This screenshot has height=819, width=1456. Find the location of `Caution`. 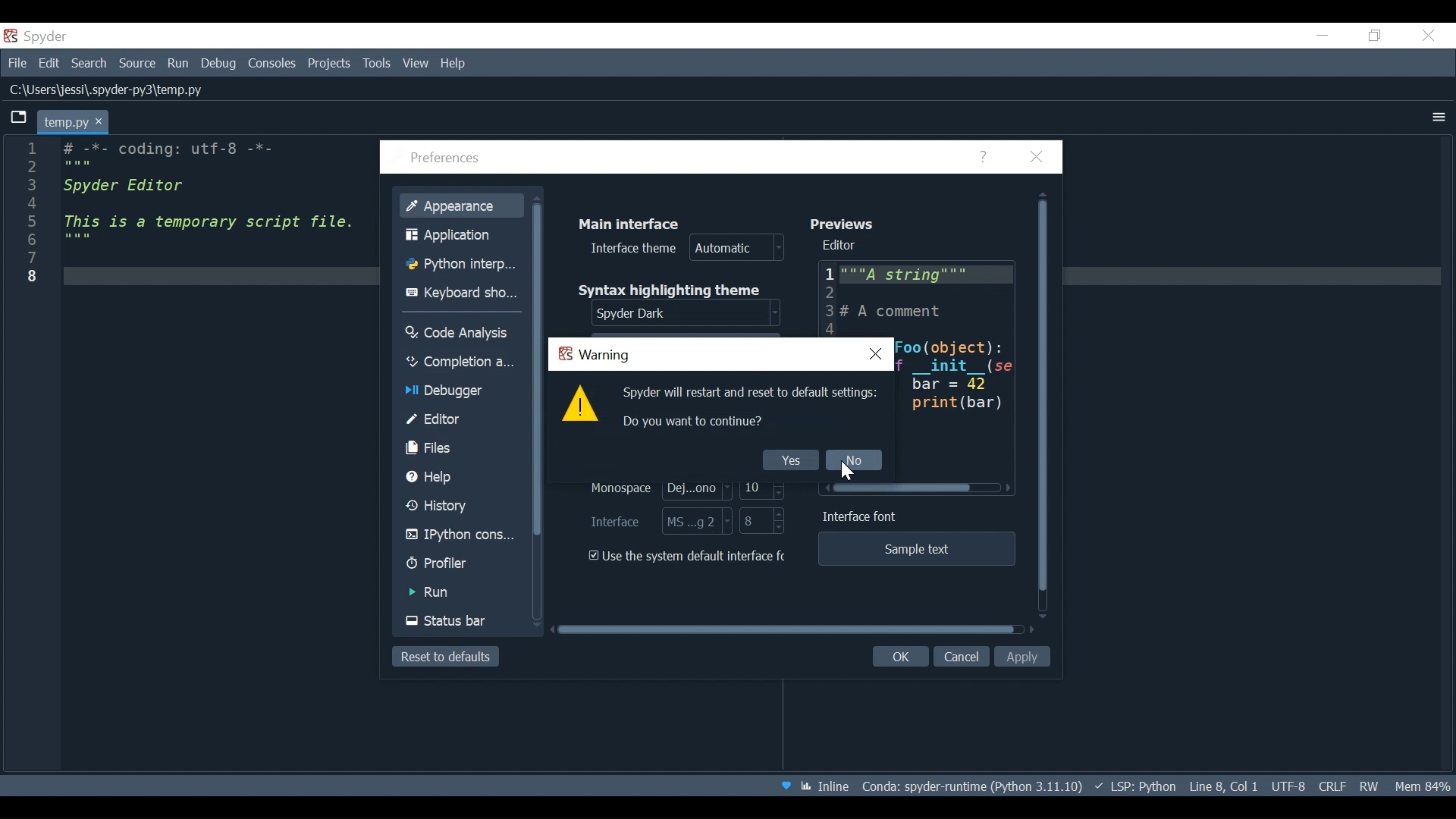

Caution is located at coordinates (580, 405).